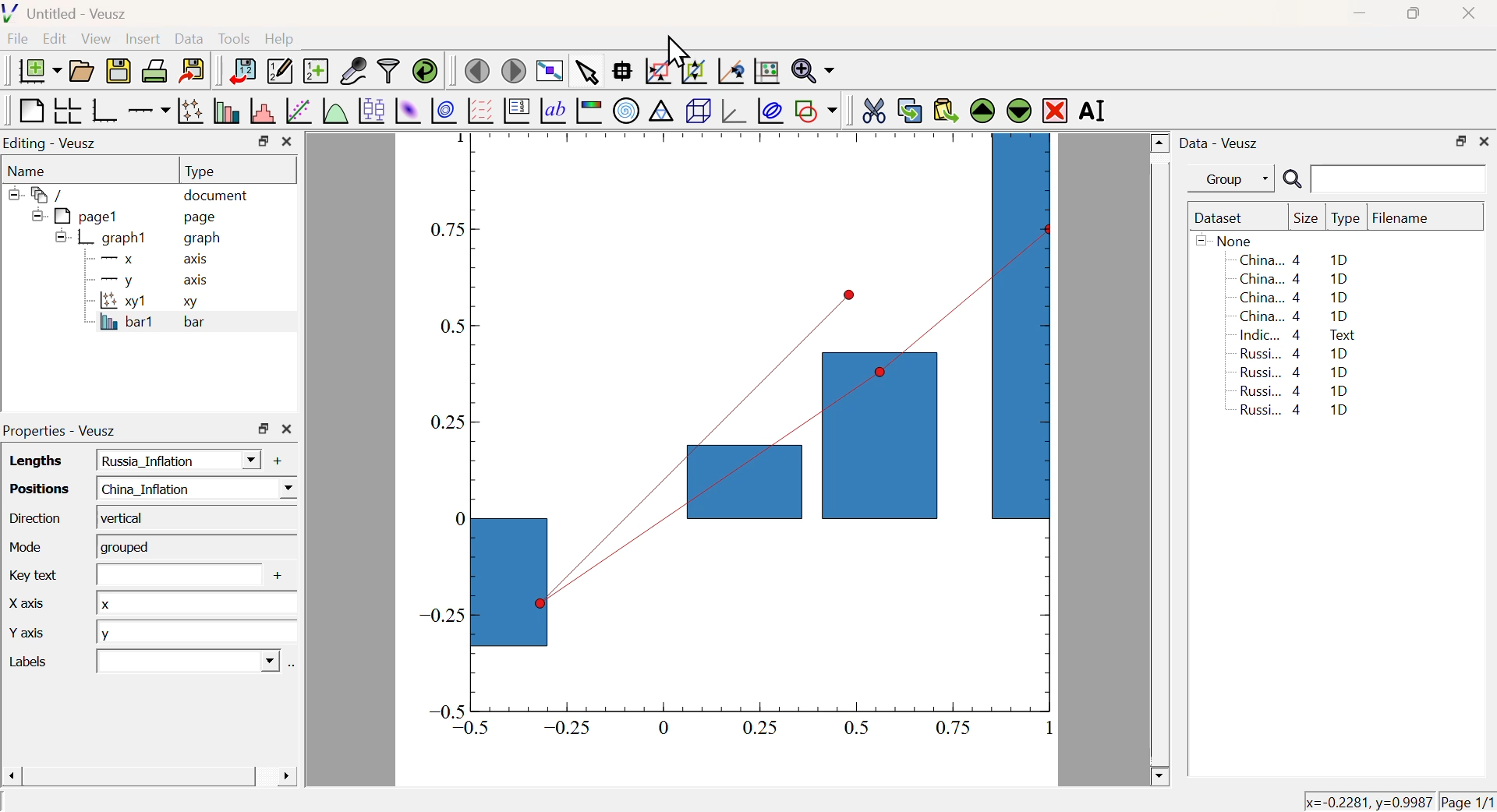 This screenshot has width=1497, height=812. I want to click on China... 4 1D, so click(1296, 298).